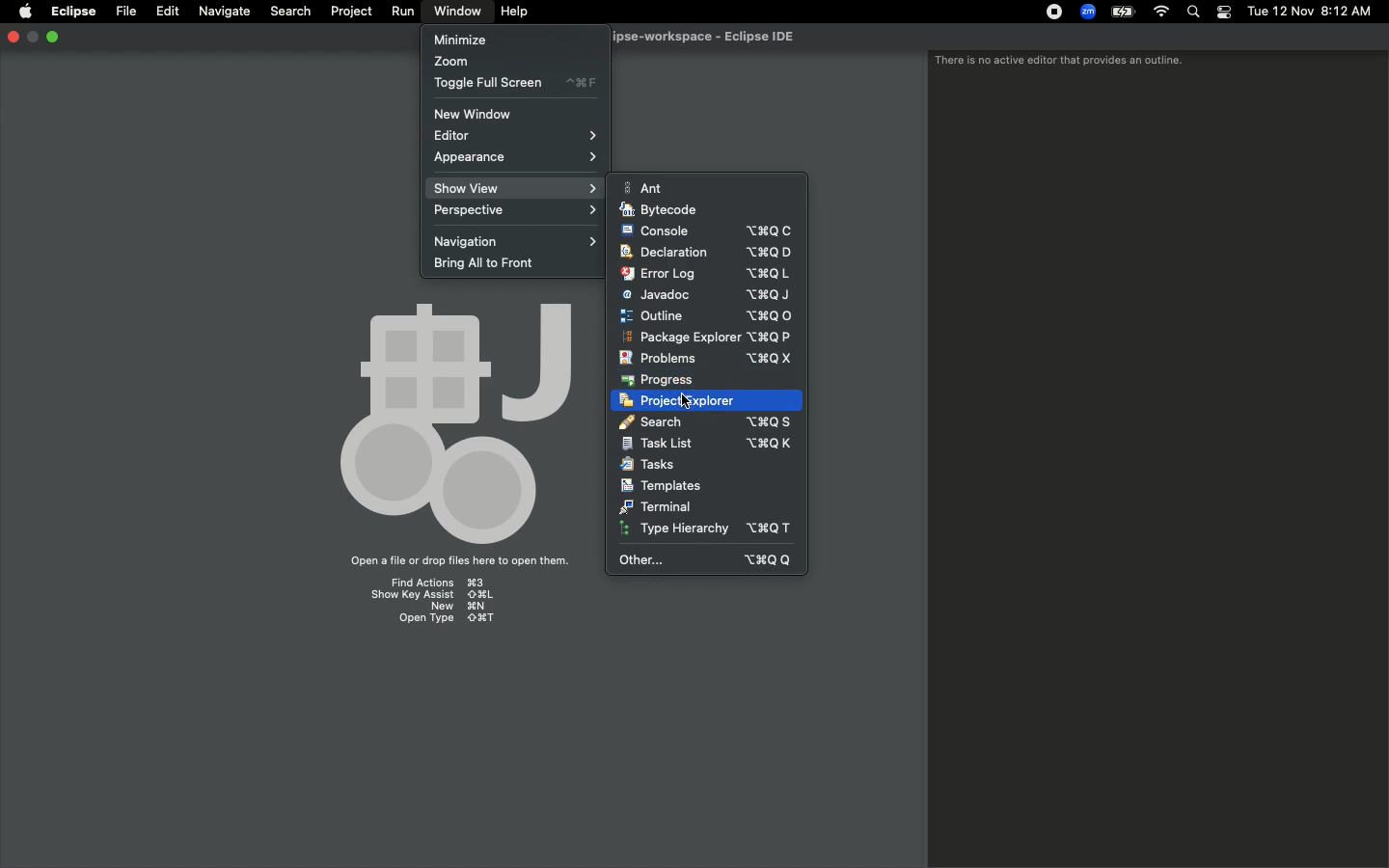  I want to click on Recording, so click(1049, 12).